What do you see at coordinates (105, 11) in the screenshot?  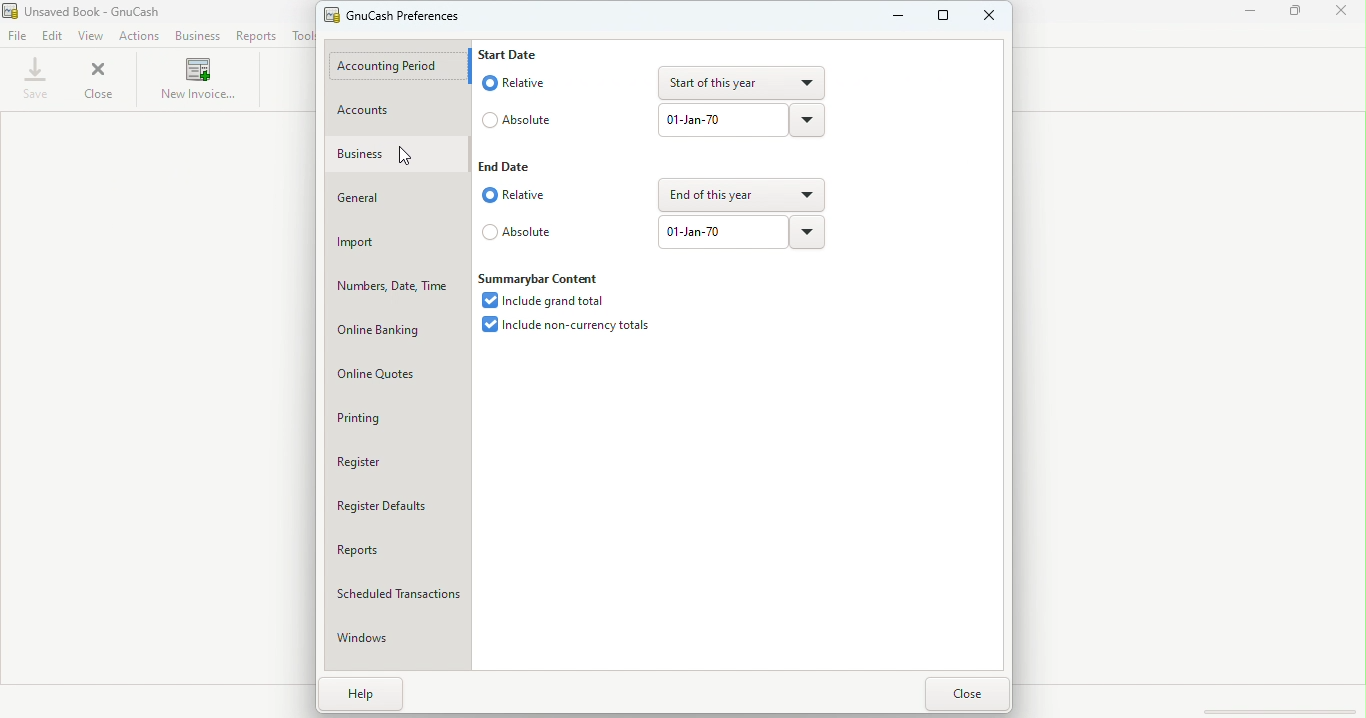 I see `File name` at bounding box center [105, 11].